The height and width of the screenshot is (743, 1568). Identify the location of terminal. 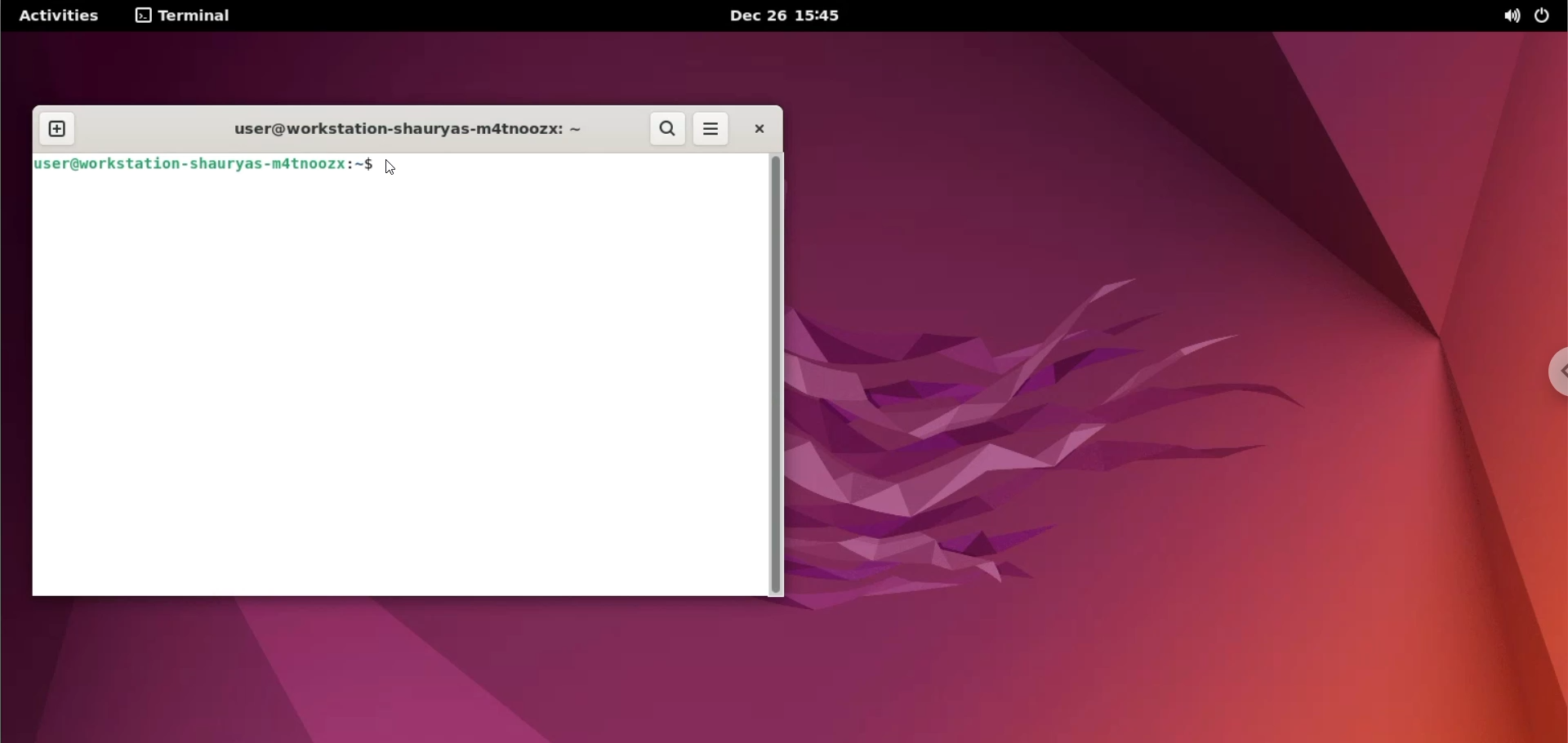
(185, 17).